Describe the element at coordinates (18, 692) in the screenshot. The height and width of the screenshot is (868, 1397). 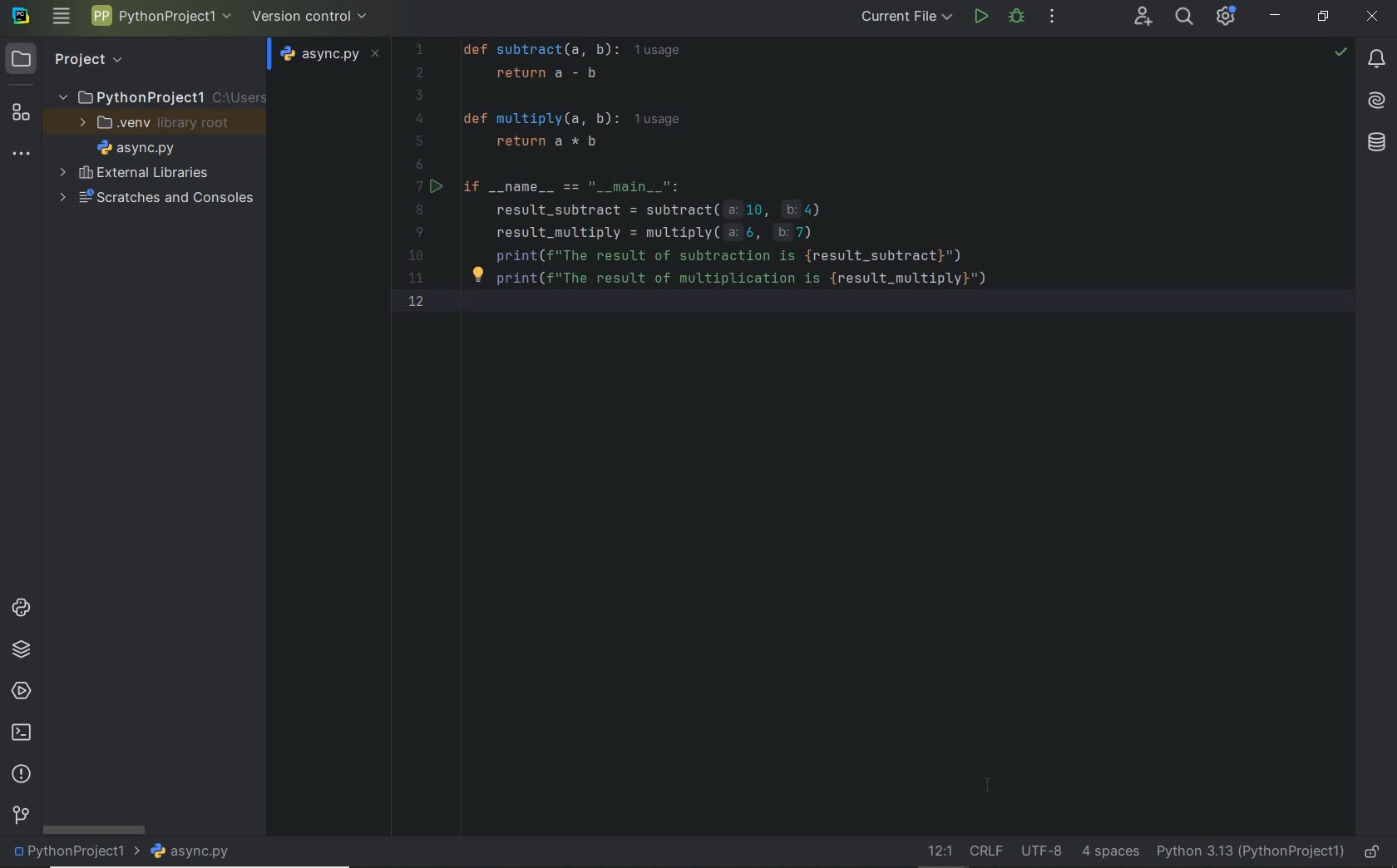
I see `services` at that location.